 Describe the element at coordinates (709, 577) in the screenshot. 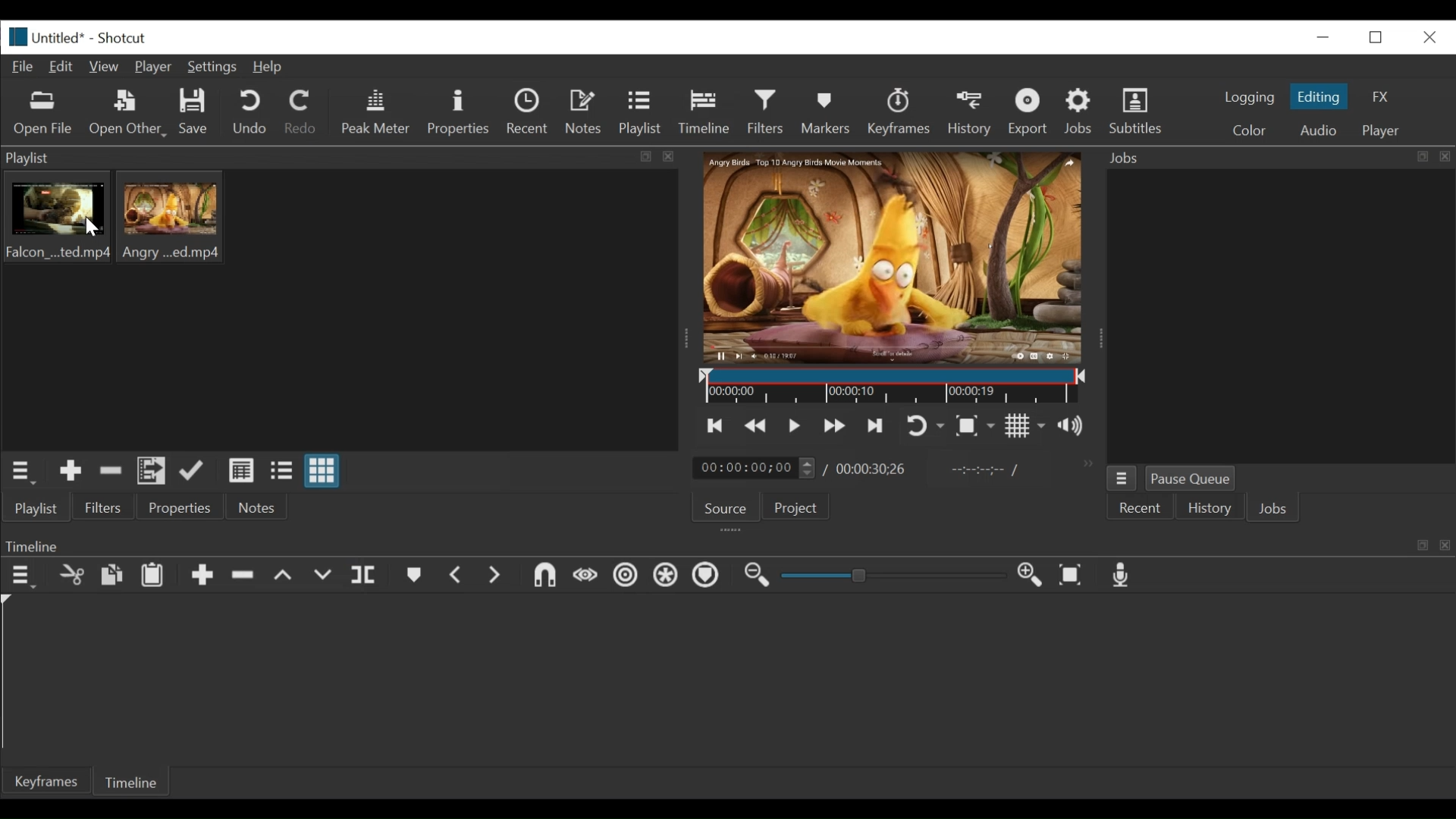

I see `Ripple markers` at that location.